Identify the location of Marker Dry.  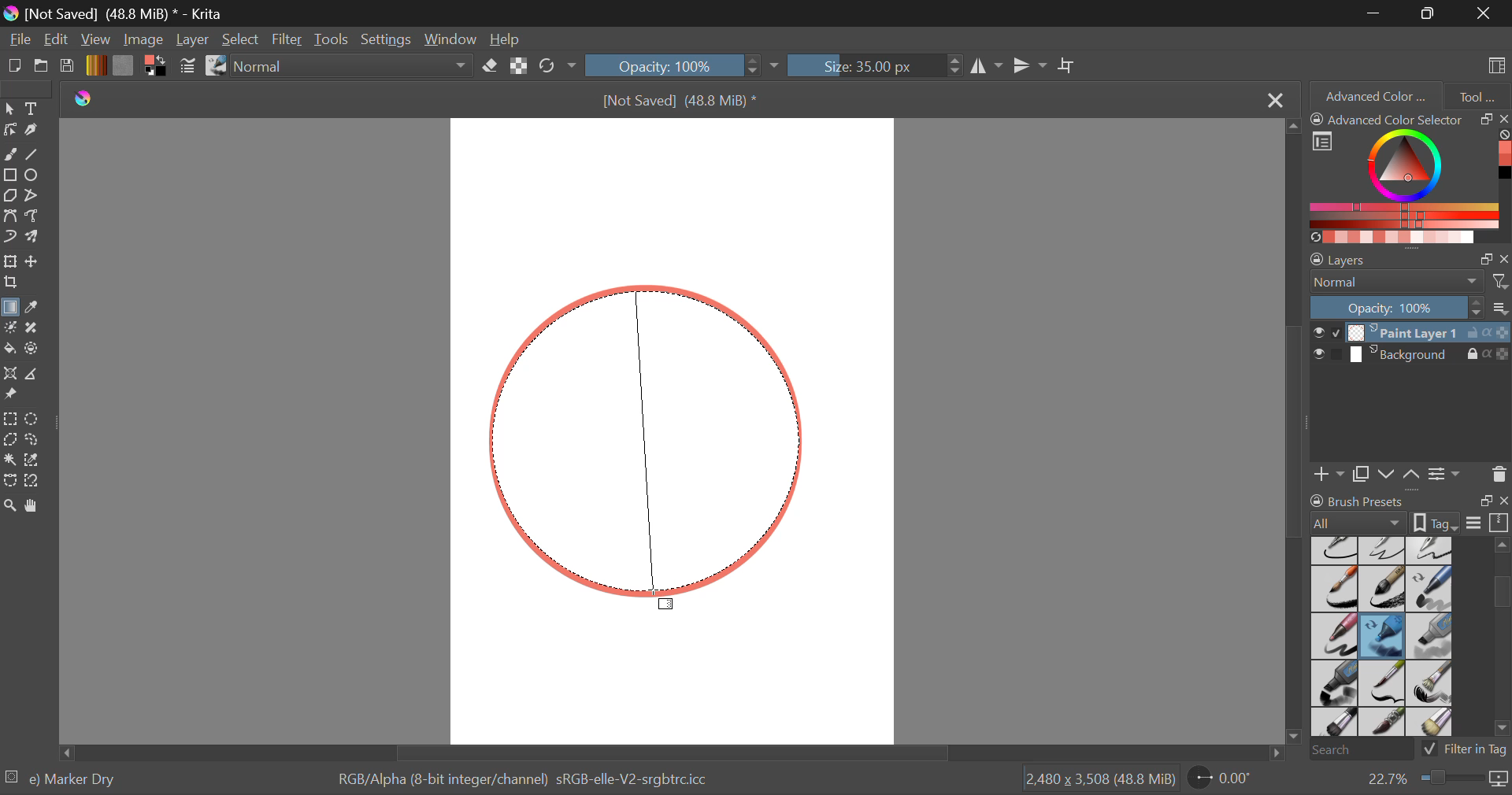
(1383, 636).